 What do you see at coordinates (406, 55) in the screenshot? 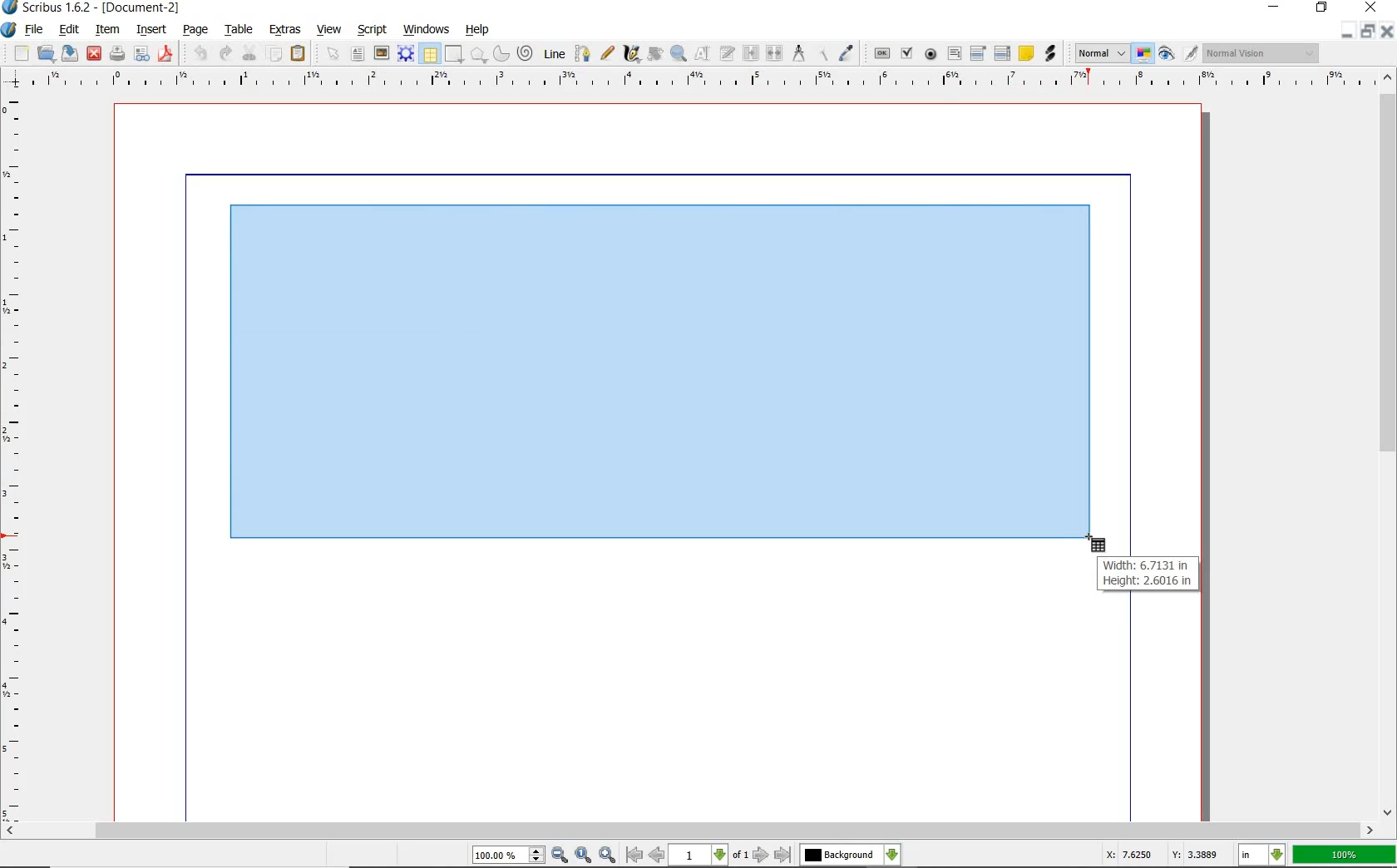
I see `render frame` at bounding box center [406, 55].